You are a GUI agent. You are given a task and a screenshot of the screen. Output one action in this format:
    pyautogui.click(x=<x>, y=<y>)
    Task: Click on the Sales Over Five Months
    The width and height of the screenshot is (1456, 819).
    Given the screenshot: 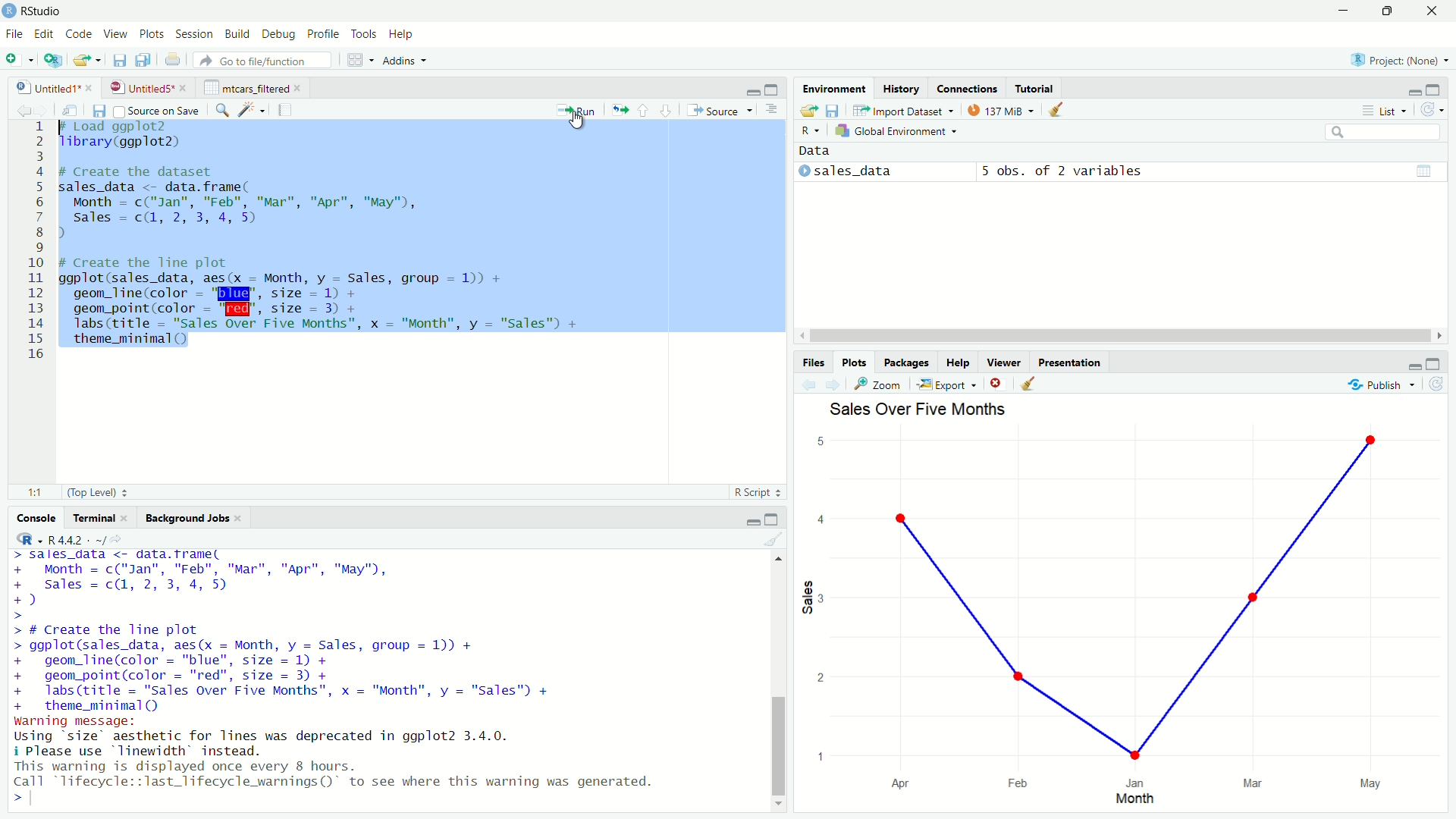 What is the action you would take?
    pyautogui.click(x=921, y=408)
    